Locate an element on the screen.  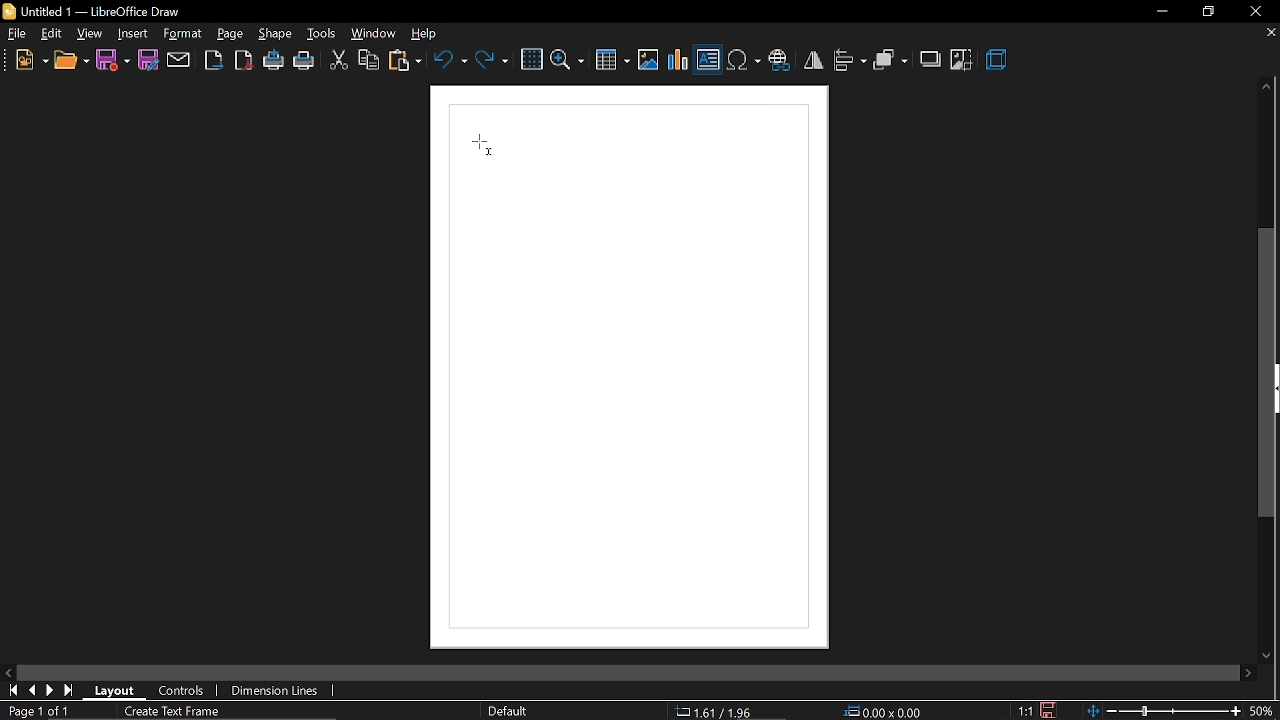
tools is located at coordinates (322, 35).